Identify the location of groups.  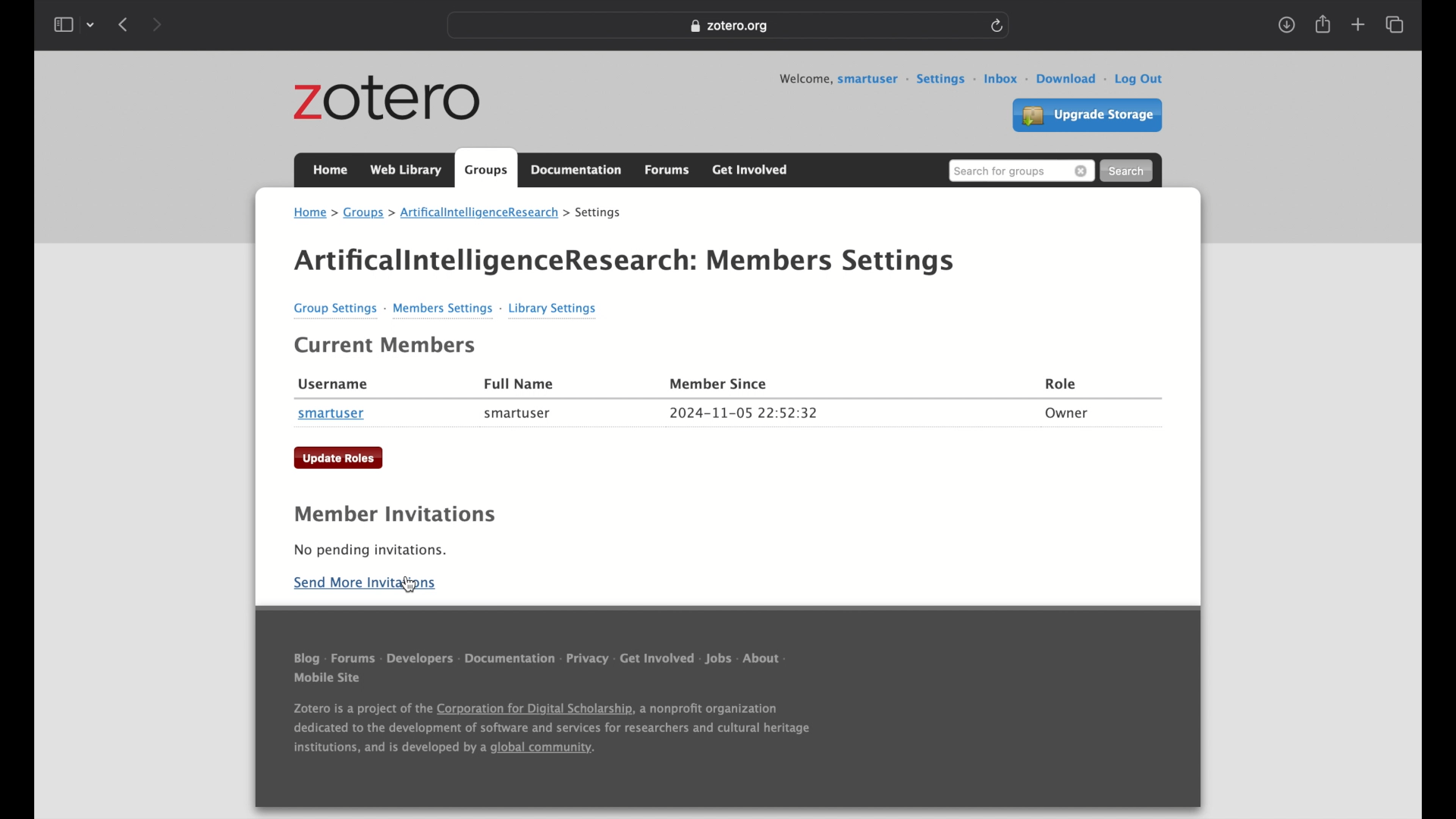
(369, 212).